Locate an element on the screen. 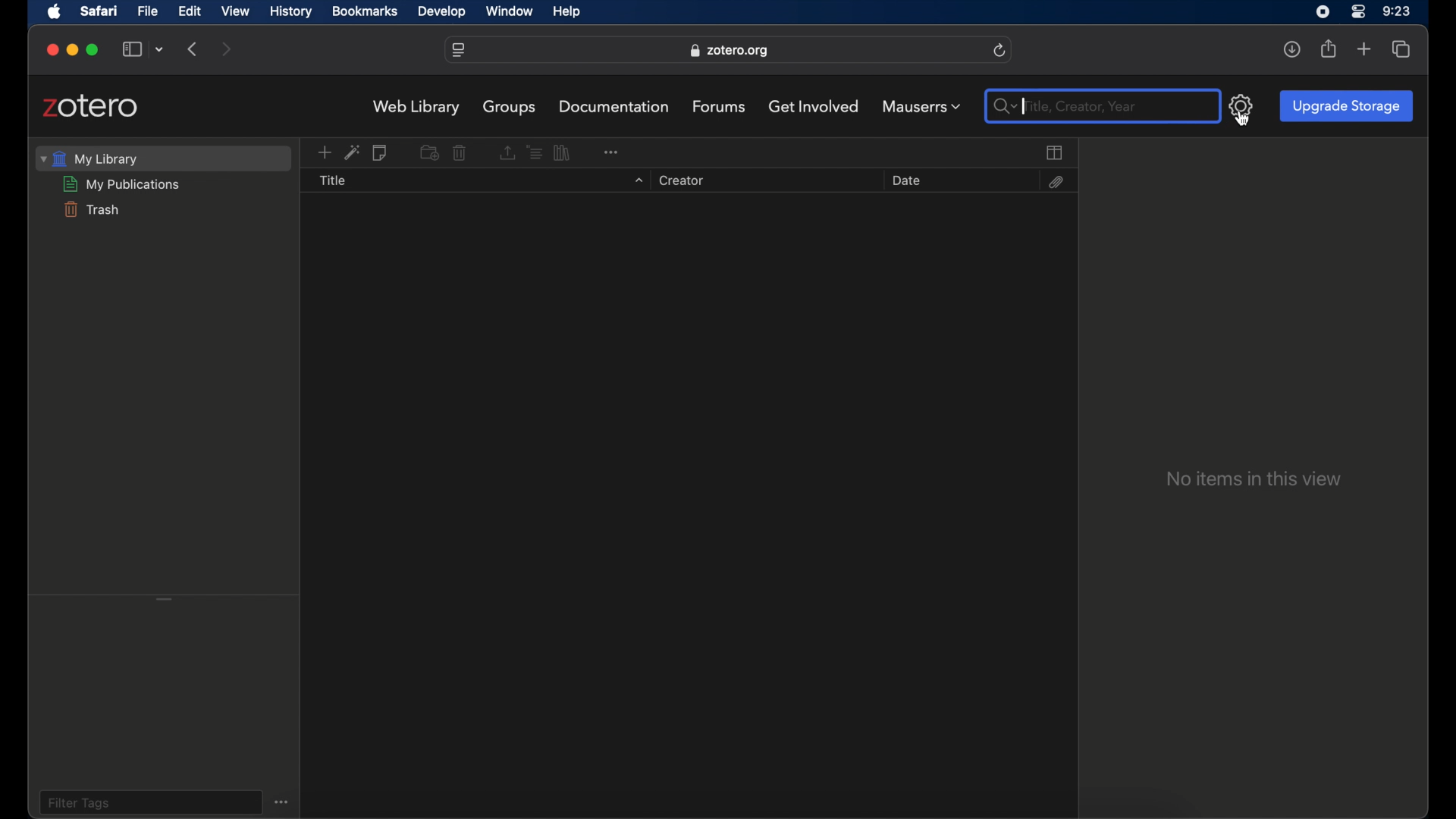  view is located at coordinates (236, 11).